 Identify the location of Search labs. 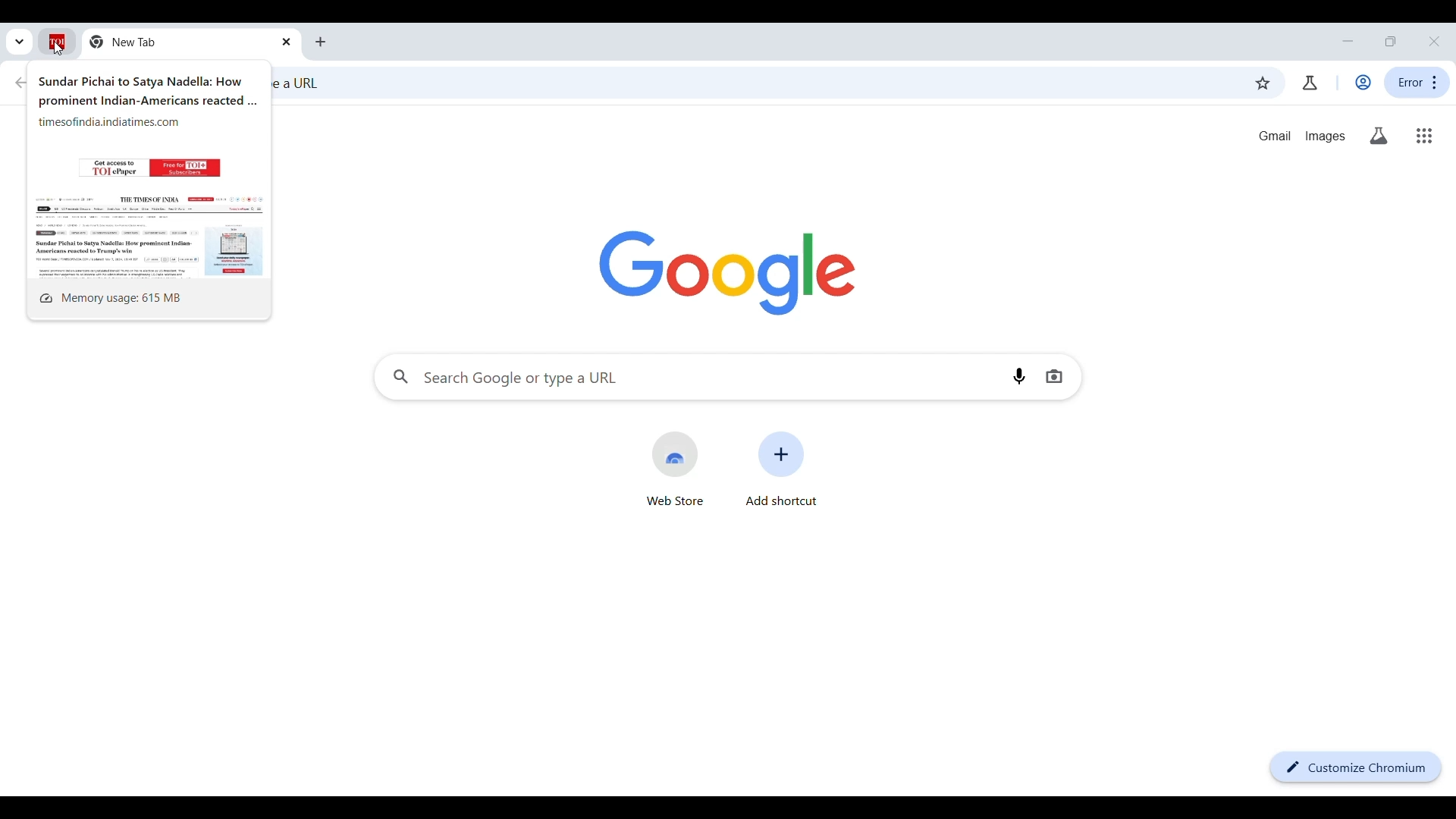
(1379, 136).